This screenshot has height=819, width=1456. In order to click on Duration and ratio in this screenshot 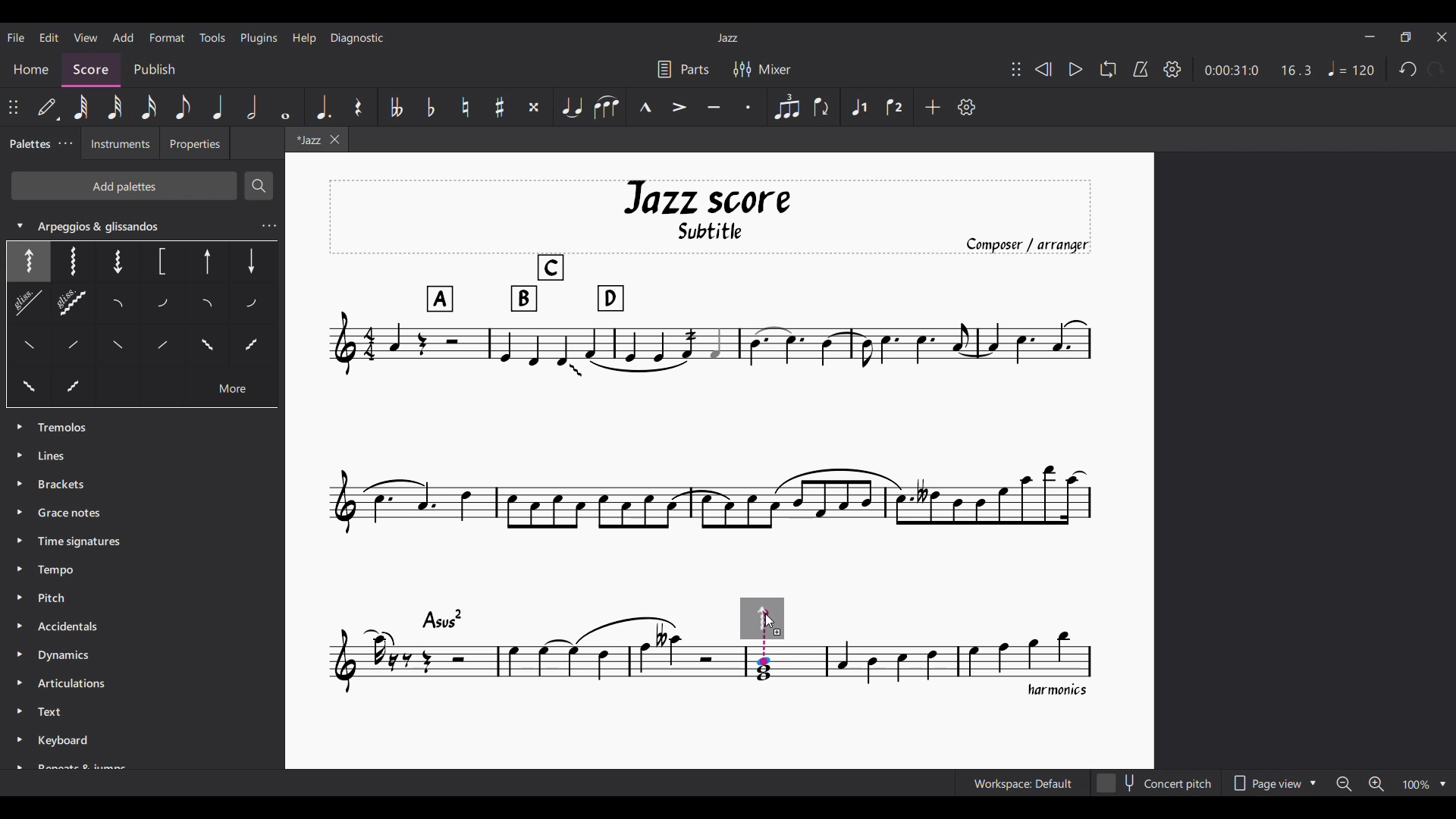, I will do `click(1258, 70)`.